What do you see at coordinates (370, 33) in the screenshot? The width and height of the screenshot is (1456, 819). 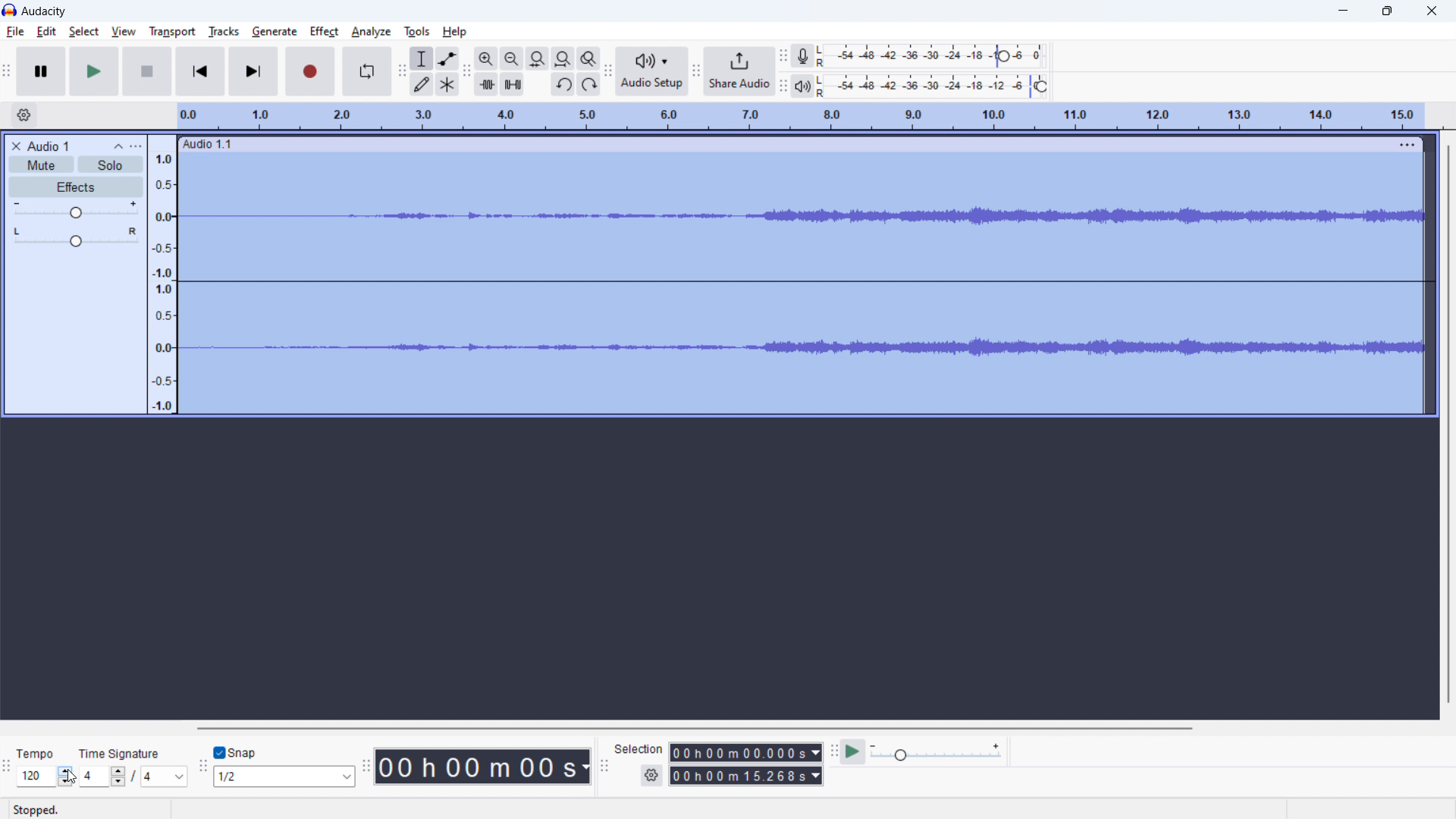 I see `analyze` at bounding box center [370, 33].